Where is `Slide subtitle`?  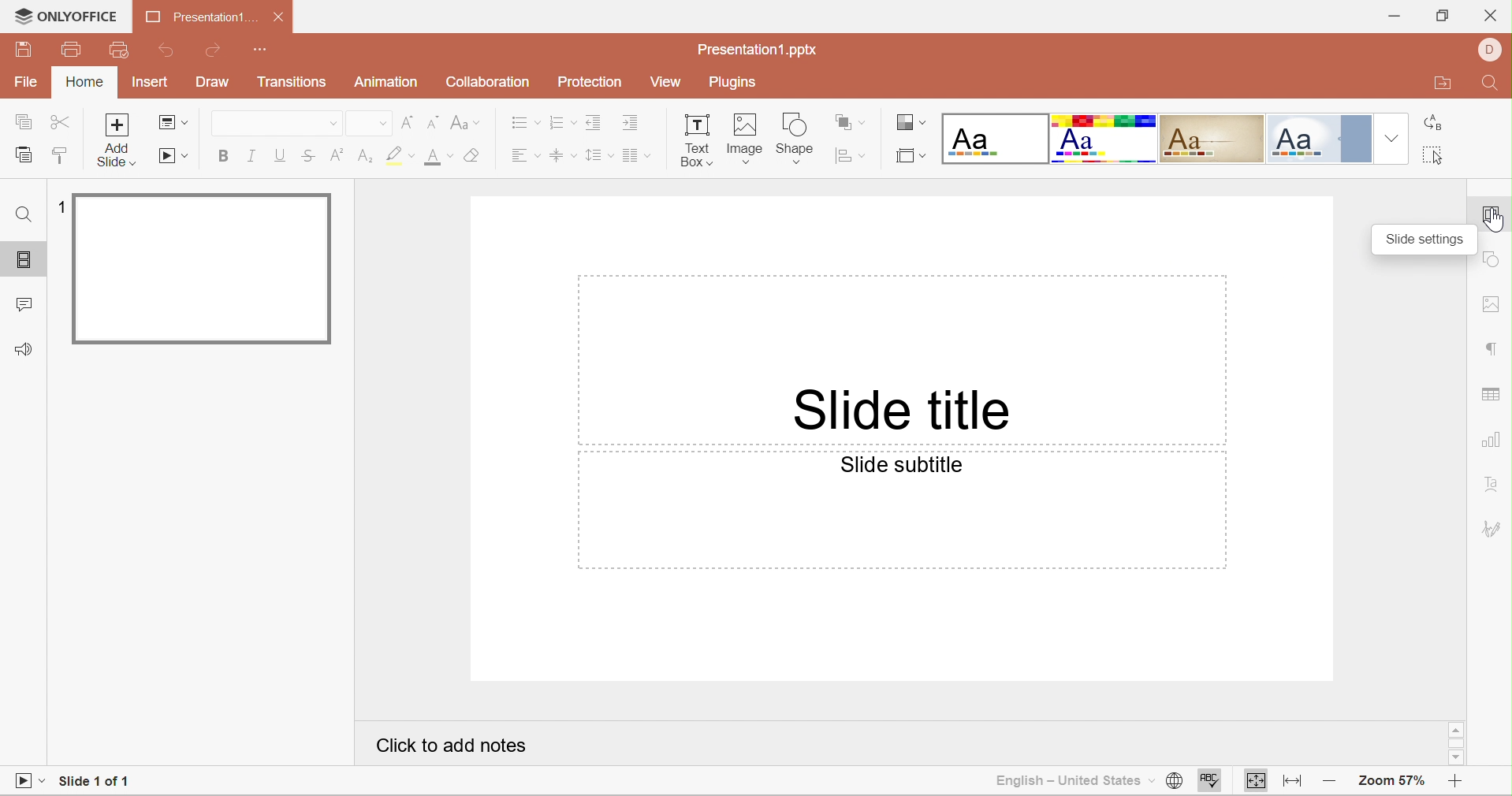 Slide subtitle is located at coordinates (903, 465).